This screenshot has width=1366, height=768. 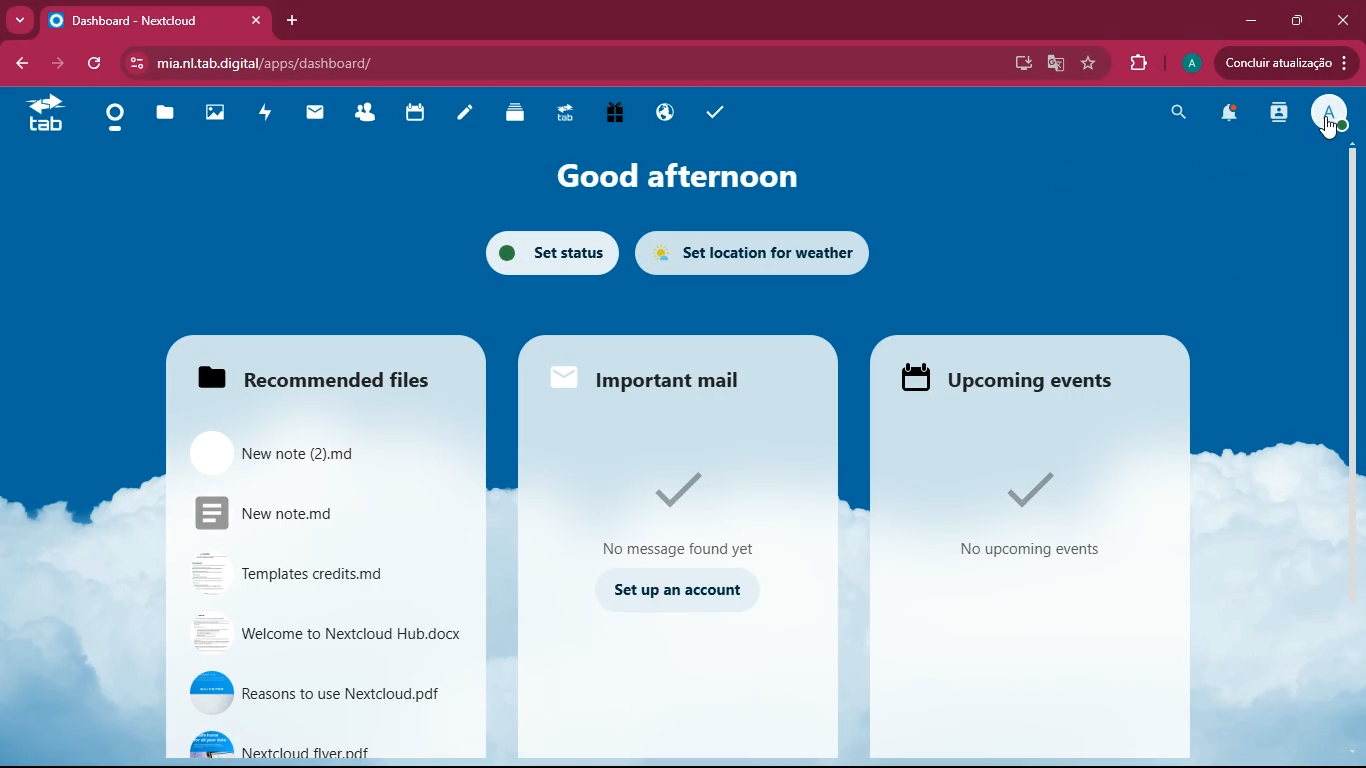 What do you see at coordinates (1276, 118) in the screenshot?
I see `activity` at bounding box center [1276, 118].